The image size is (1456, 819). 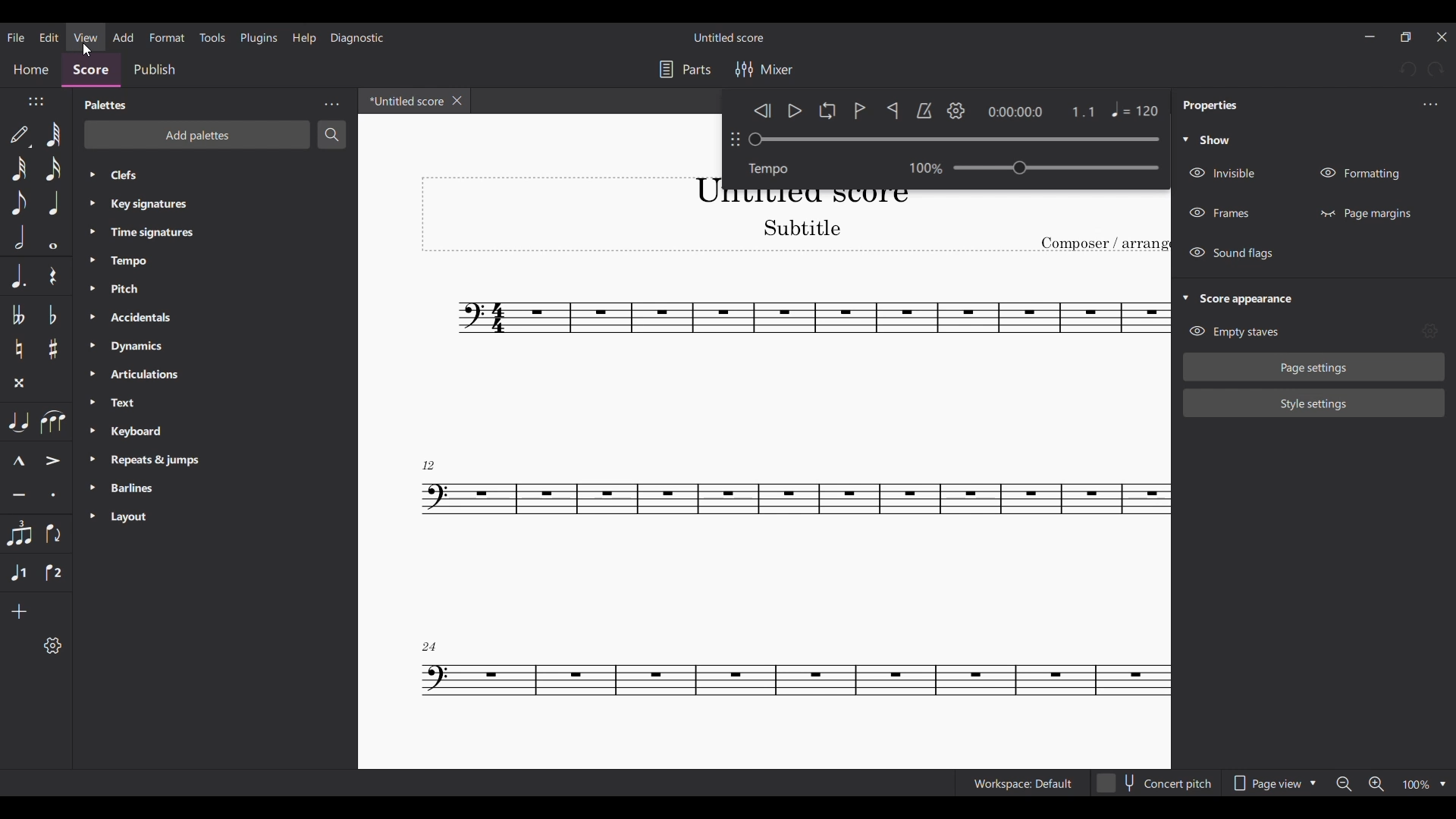 I want to click on Page view, so click(x=1275, y=783).